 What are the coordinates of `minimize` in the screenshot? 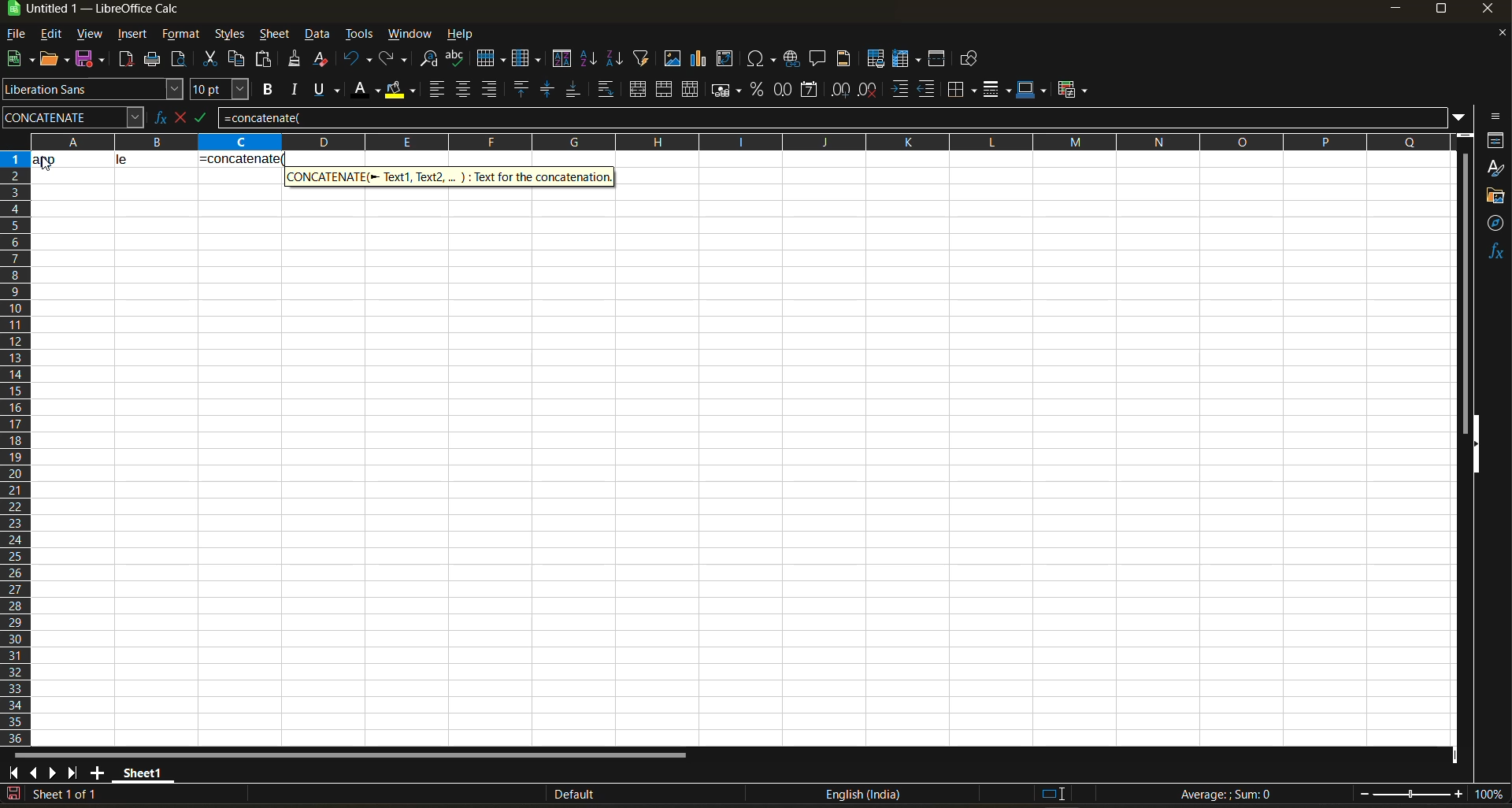 It's located at (1394, 9).